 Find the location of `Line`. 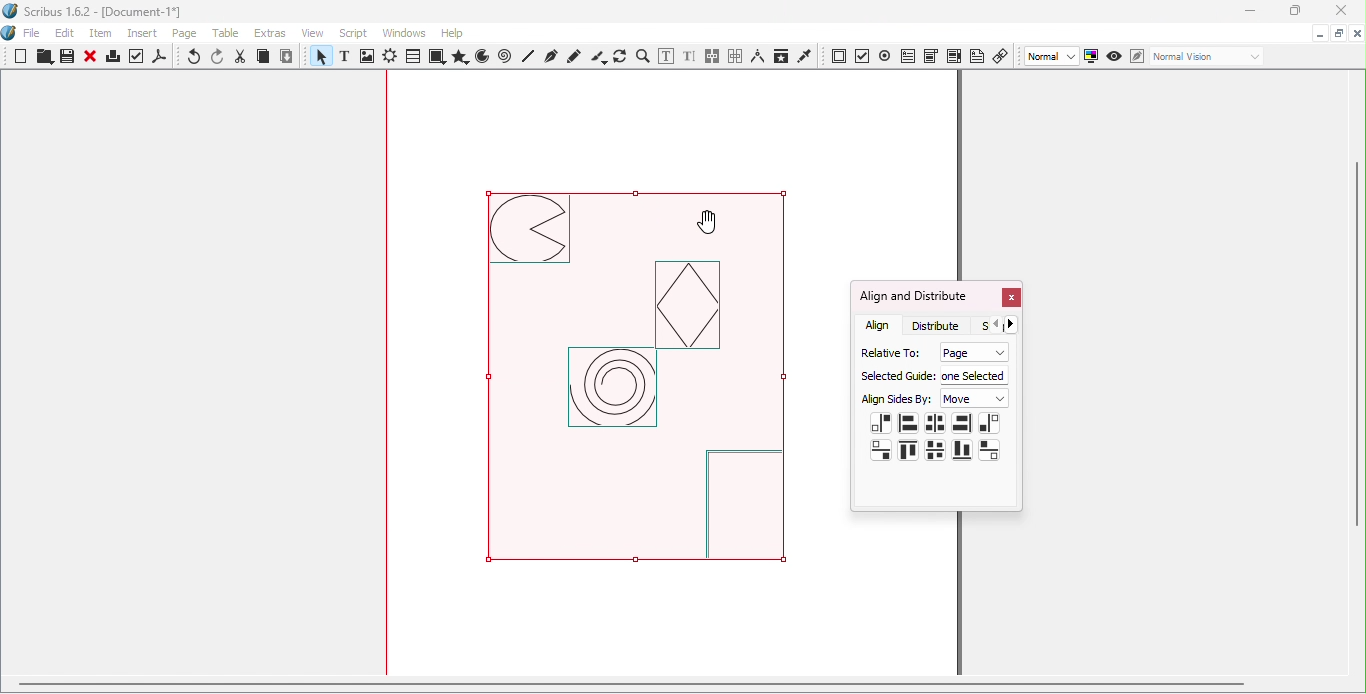

Line is located at coordinates (529, 56).